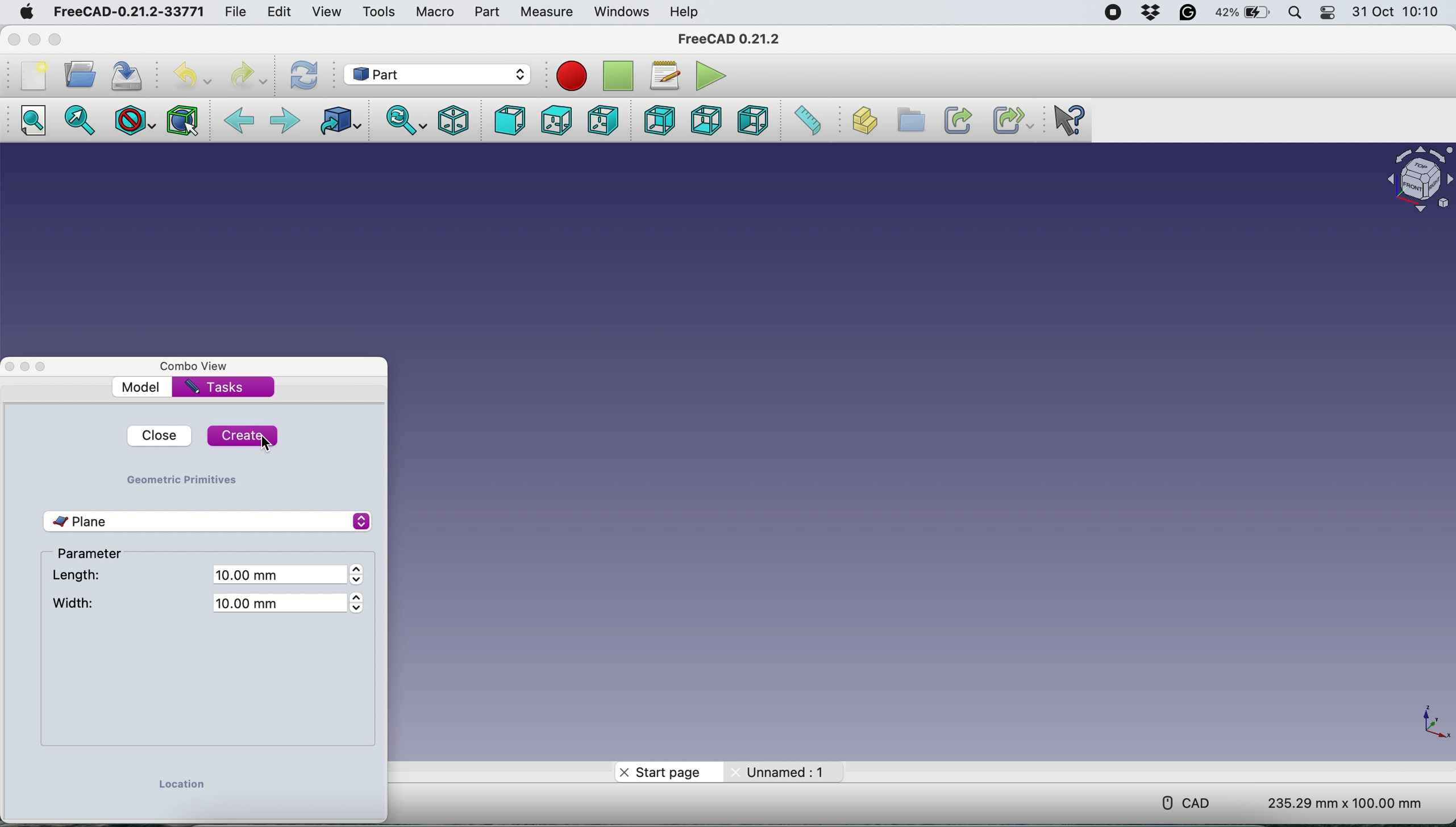  Describe the element at coordinates (1067, 120) in the screenshot. I see `What's this?` at that location.